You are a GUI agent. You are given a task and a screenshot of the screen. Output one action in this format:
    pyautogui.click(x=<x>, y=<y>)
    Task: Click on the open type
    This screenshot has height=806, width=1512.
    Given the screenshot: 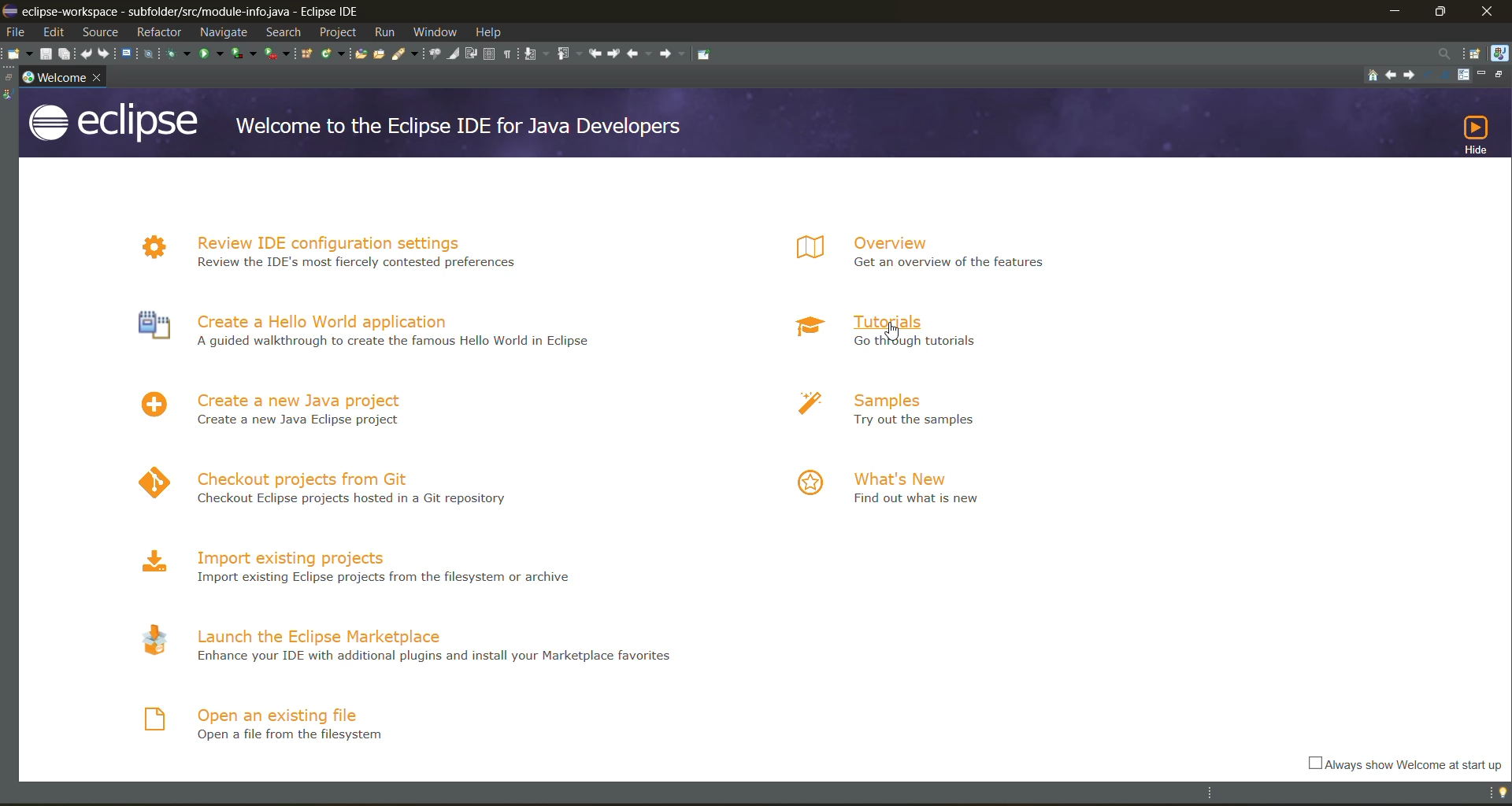 What is the action you would take?
    pyautogui.click(x=359, y=52)
    